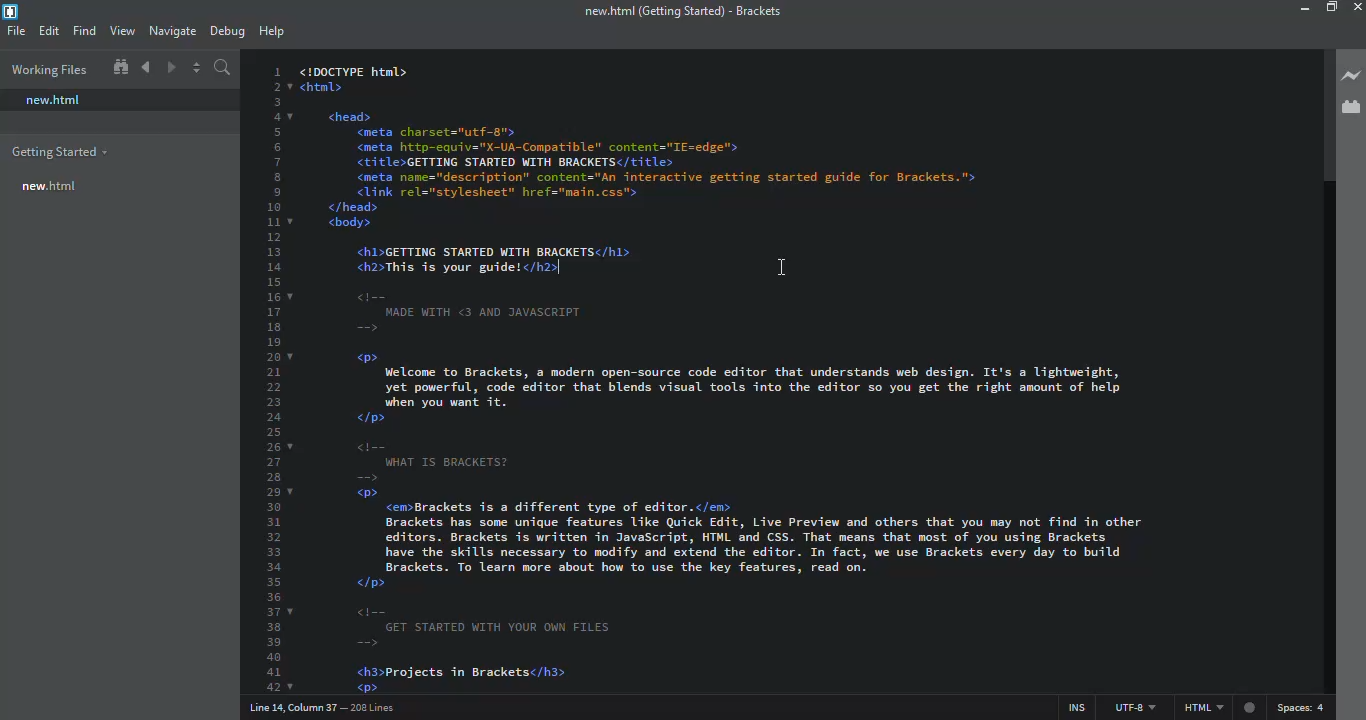 The height and width of the screenshot is (720, 1366). What do you see at coordinates (272, 377) in the screenshot?
I see `line number` at bounding box center [272, 377].